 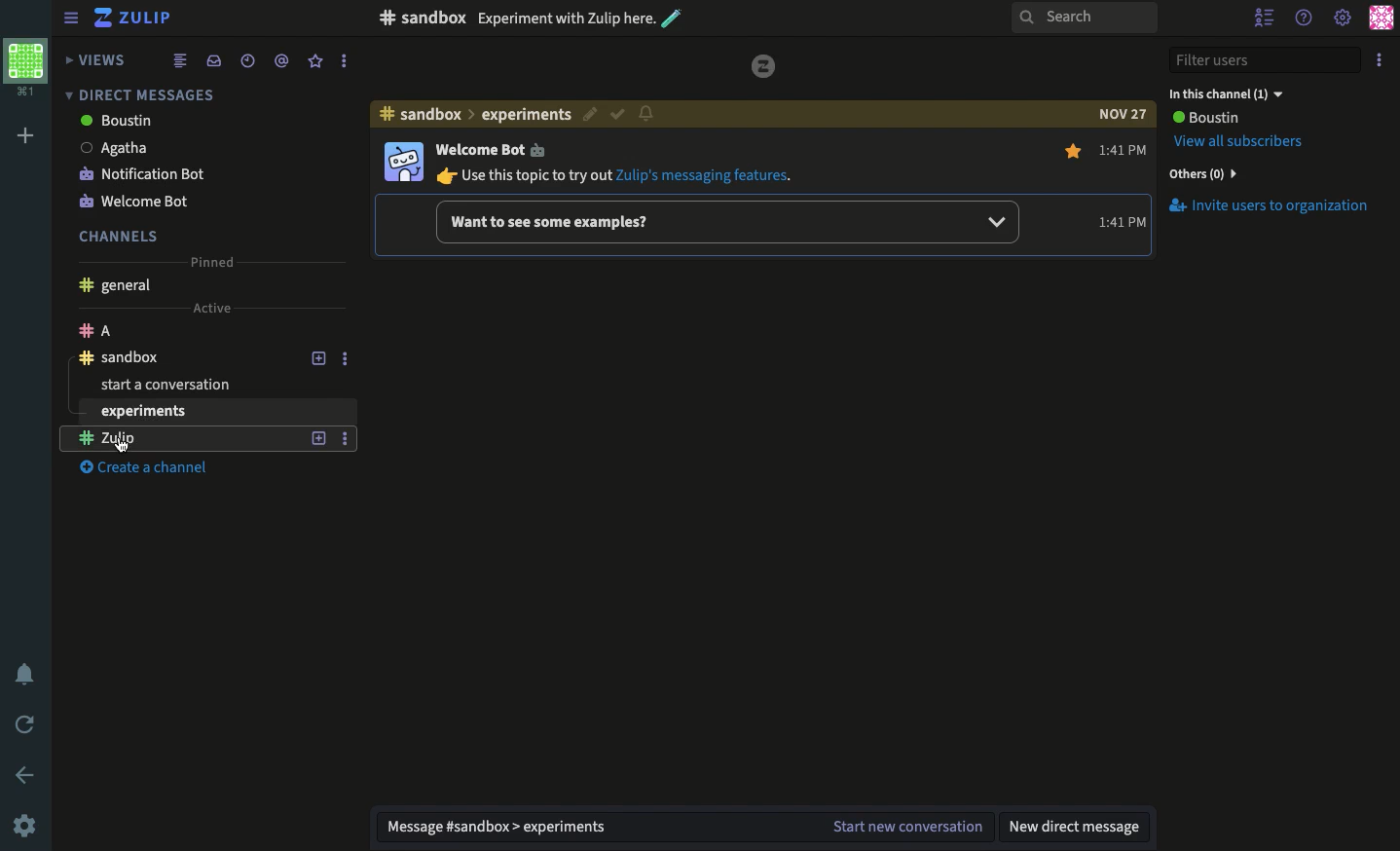 What do you see at coordinates (725, 220) in the screenshot?
I see `examples` at bounding box center [725, 220].